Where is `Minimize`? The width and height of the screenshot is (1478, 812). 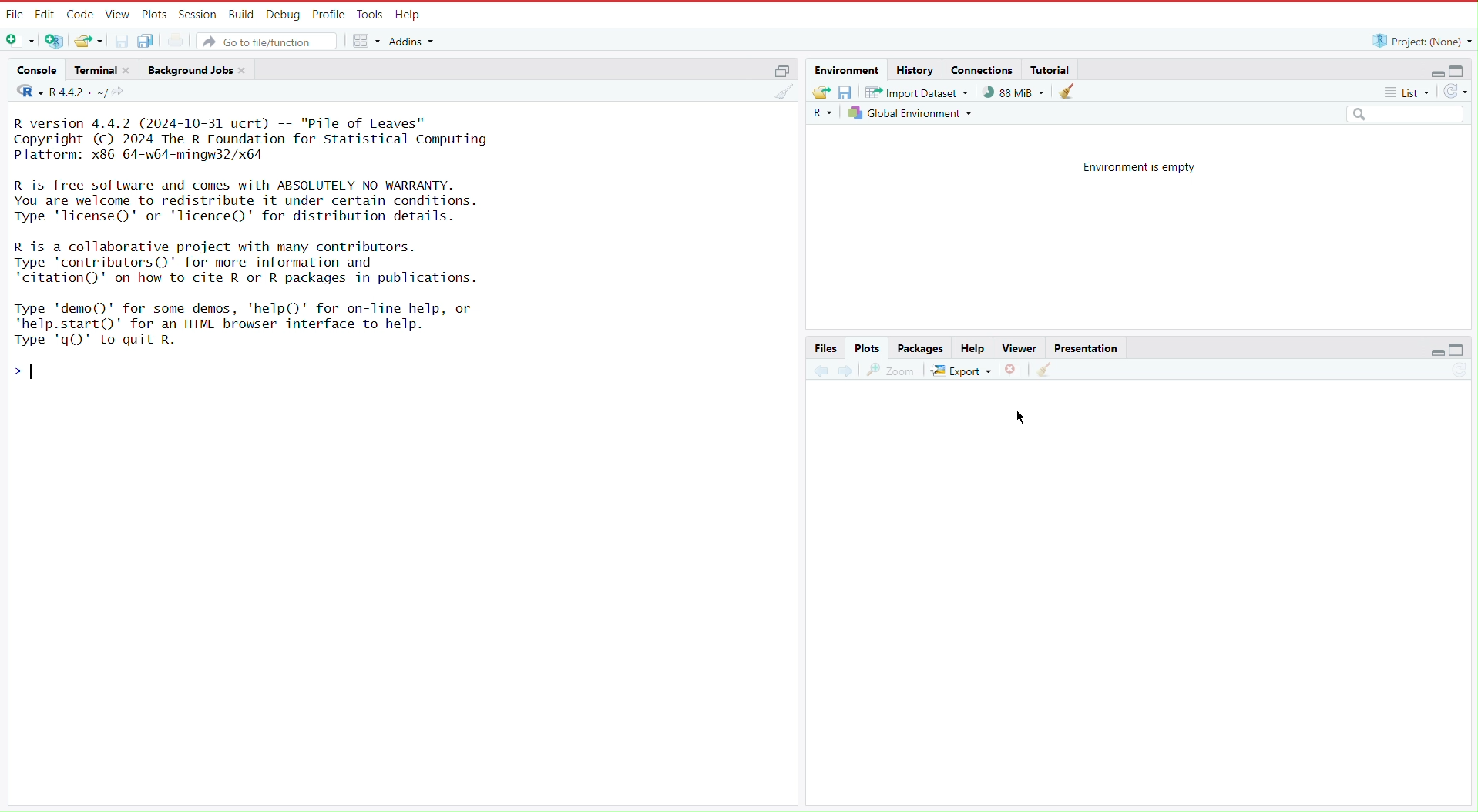
Minimize is located at coordinates (1438, 354).